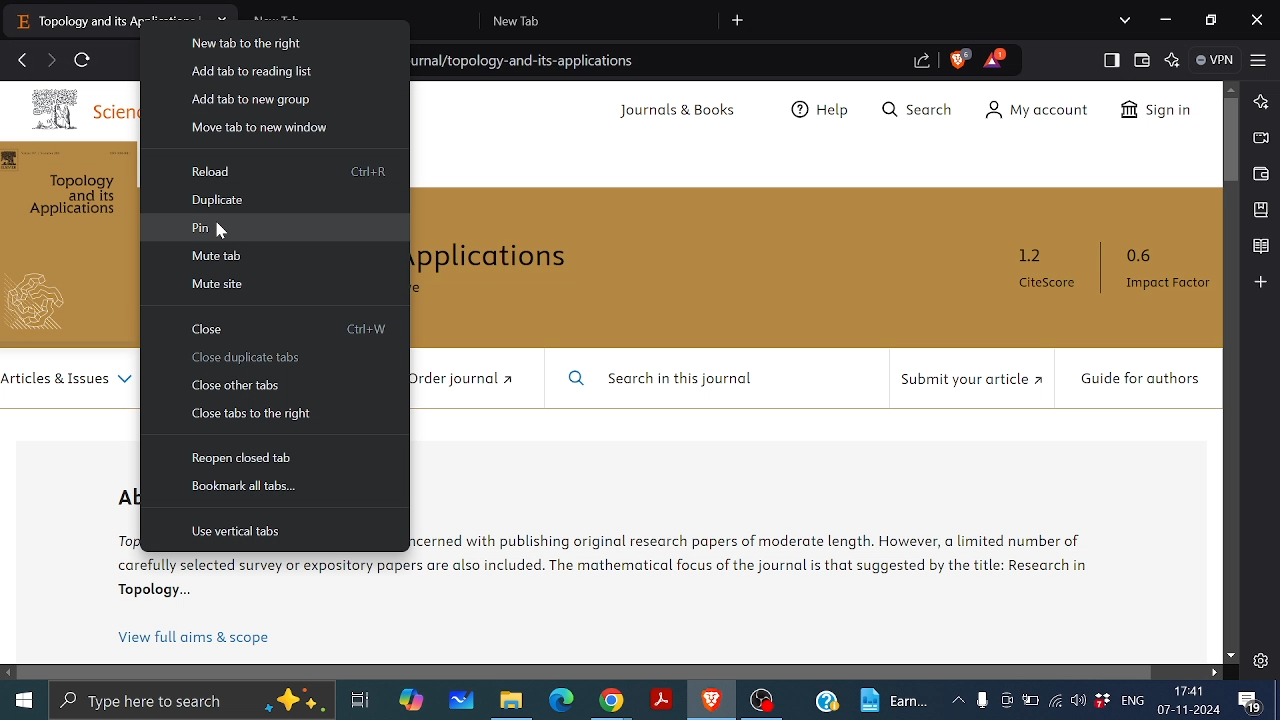 This screenshot has height=720, width=1280. I want to click on Copilot, so click(414, 702).